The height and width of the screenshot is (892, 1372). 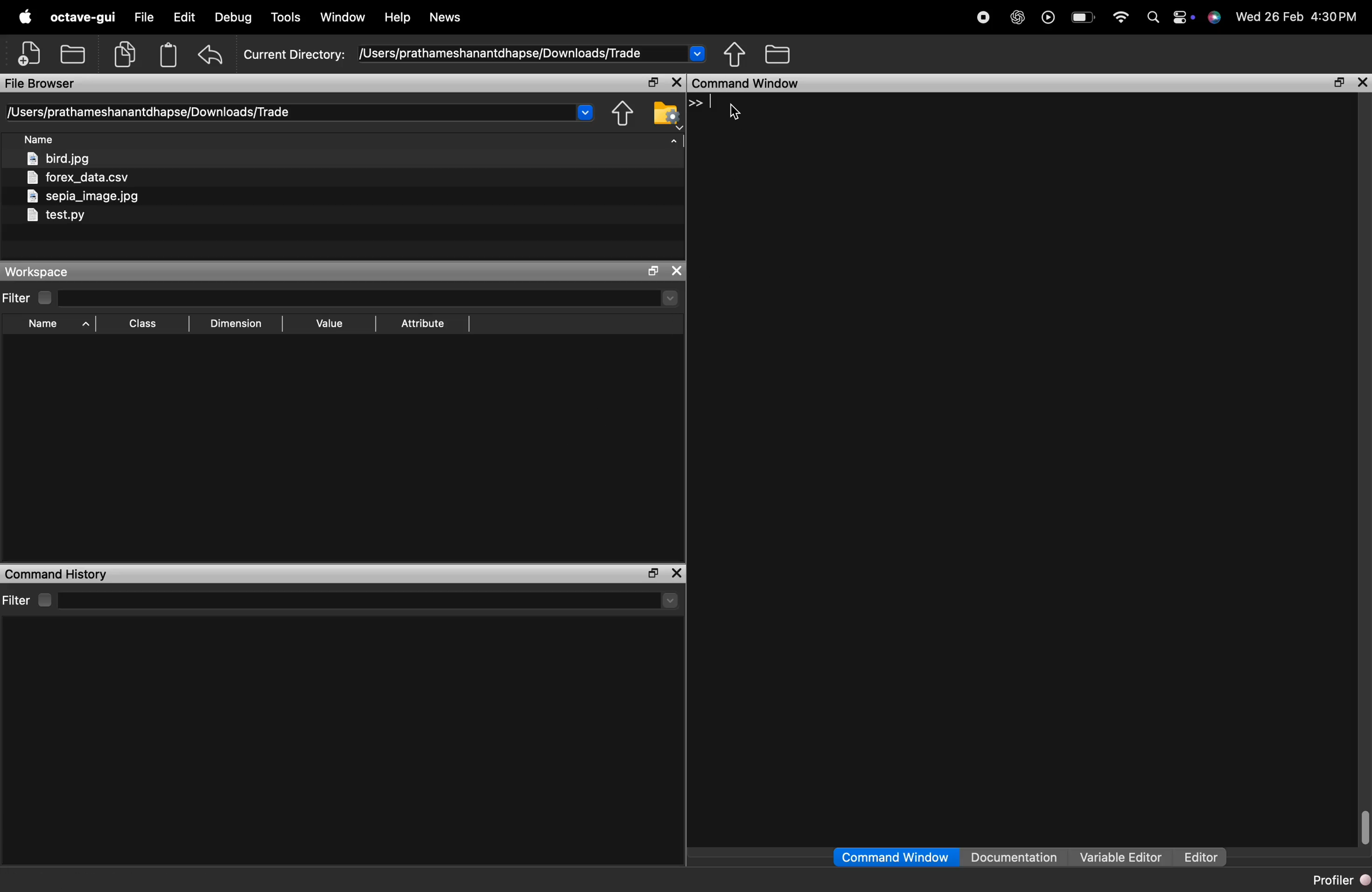 I want to click on Documentation, so click(x=1015, y=857).